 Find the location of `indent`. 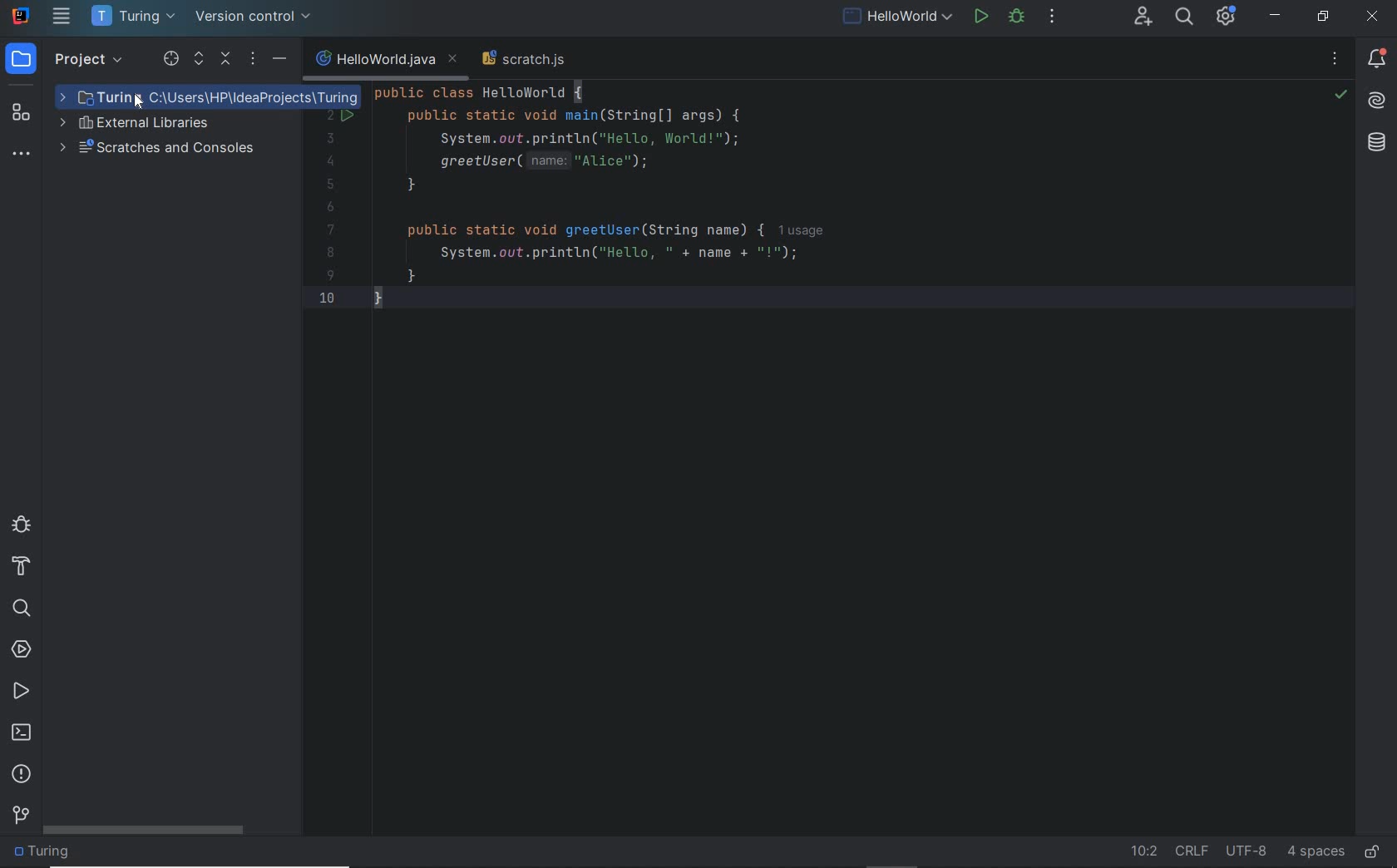

indent is located at coordinates (1314, 853).